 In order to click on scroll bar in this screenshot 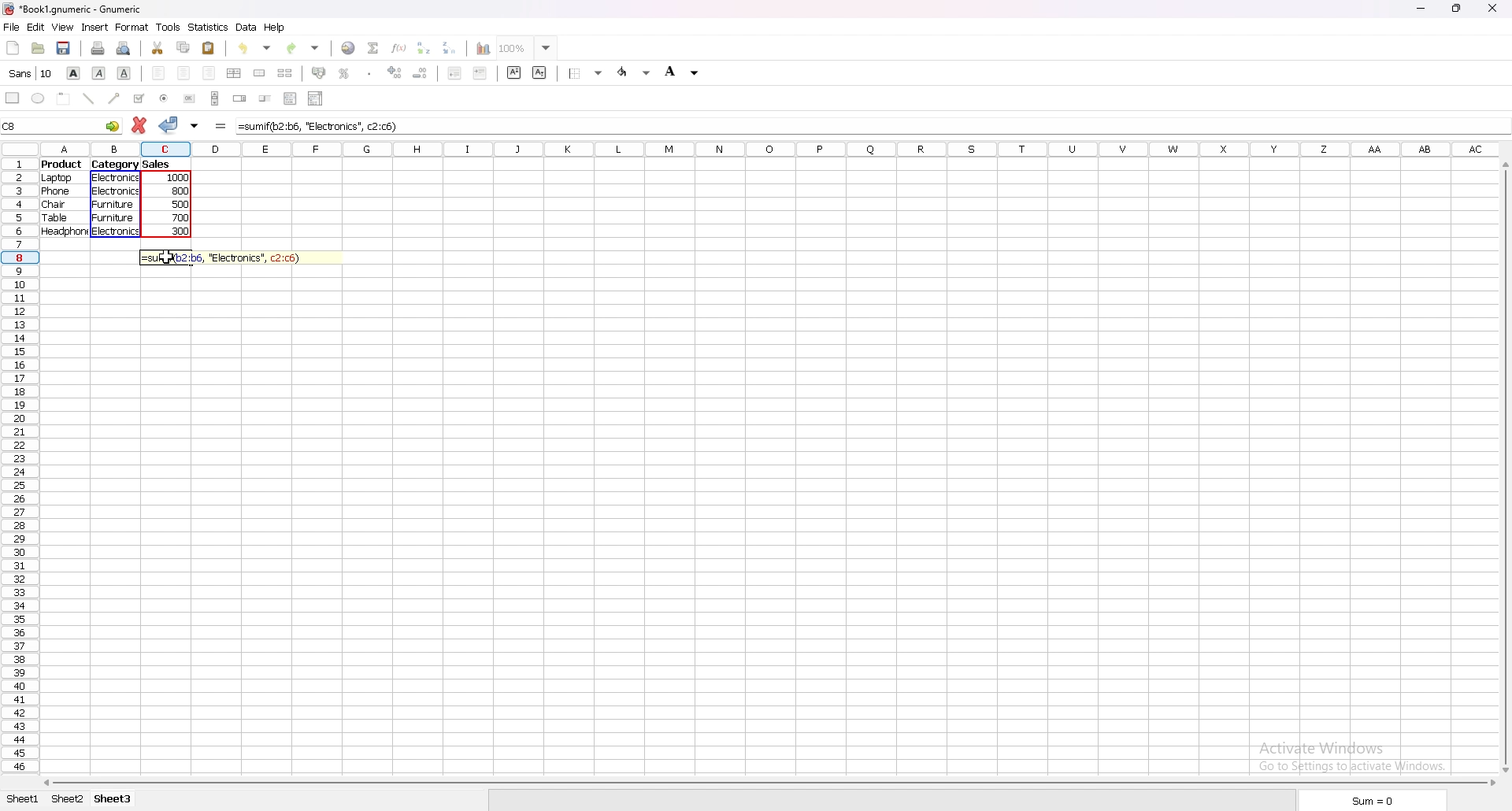, I will do `click(770, 782)`.